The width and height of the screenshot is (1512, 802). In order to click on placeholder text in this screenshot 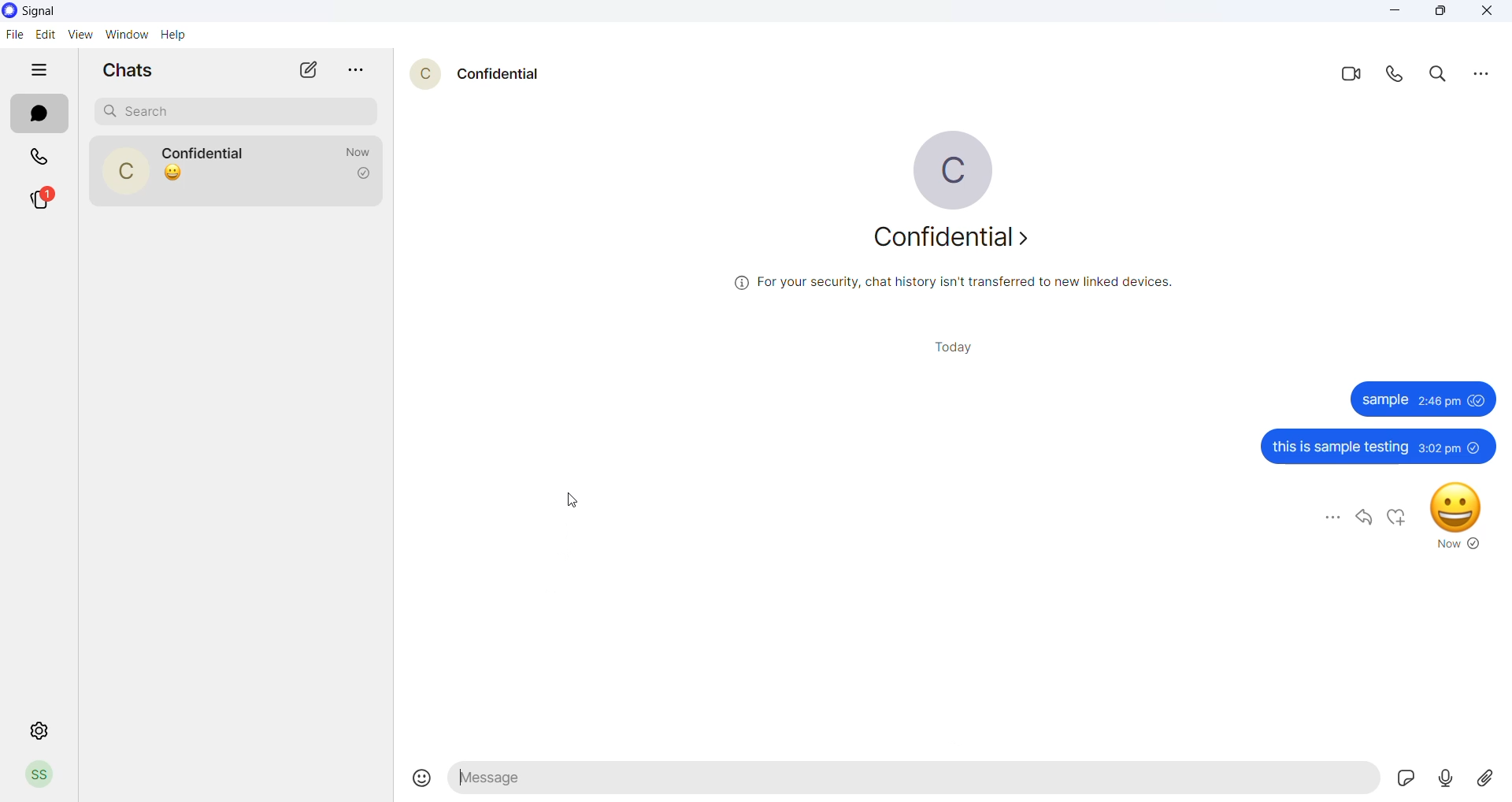, I will do `click(531, 778)`.